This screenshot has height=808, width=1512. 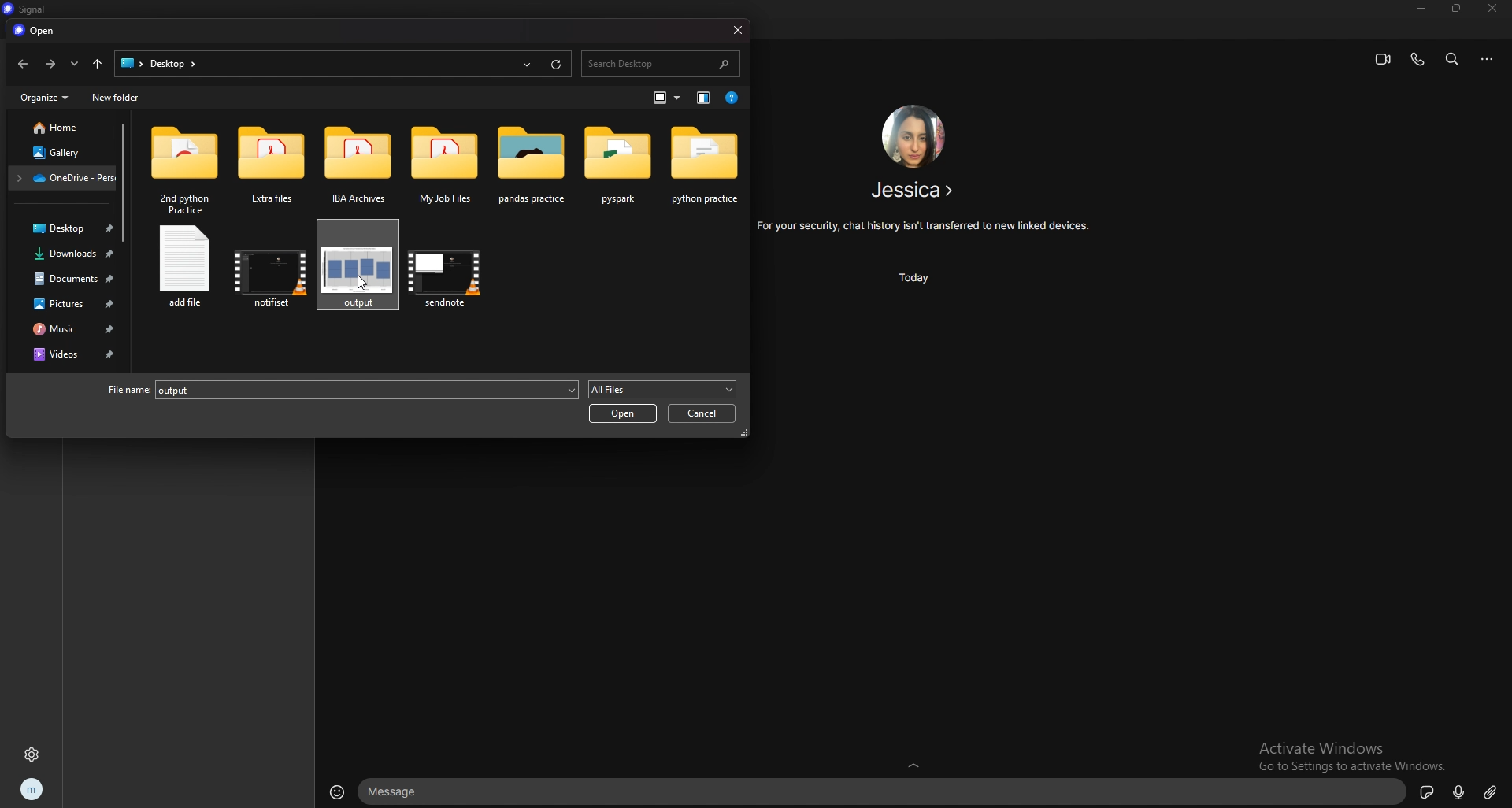 I want to click on open, so click(x=622, y=413).